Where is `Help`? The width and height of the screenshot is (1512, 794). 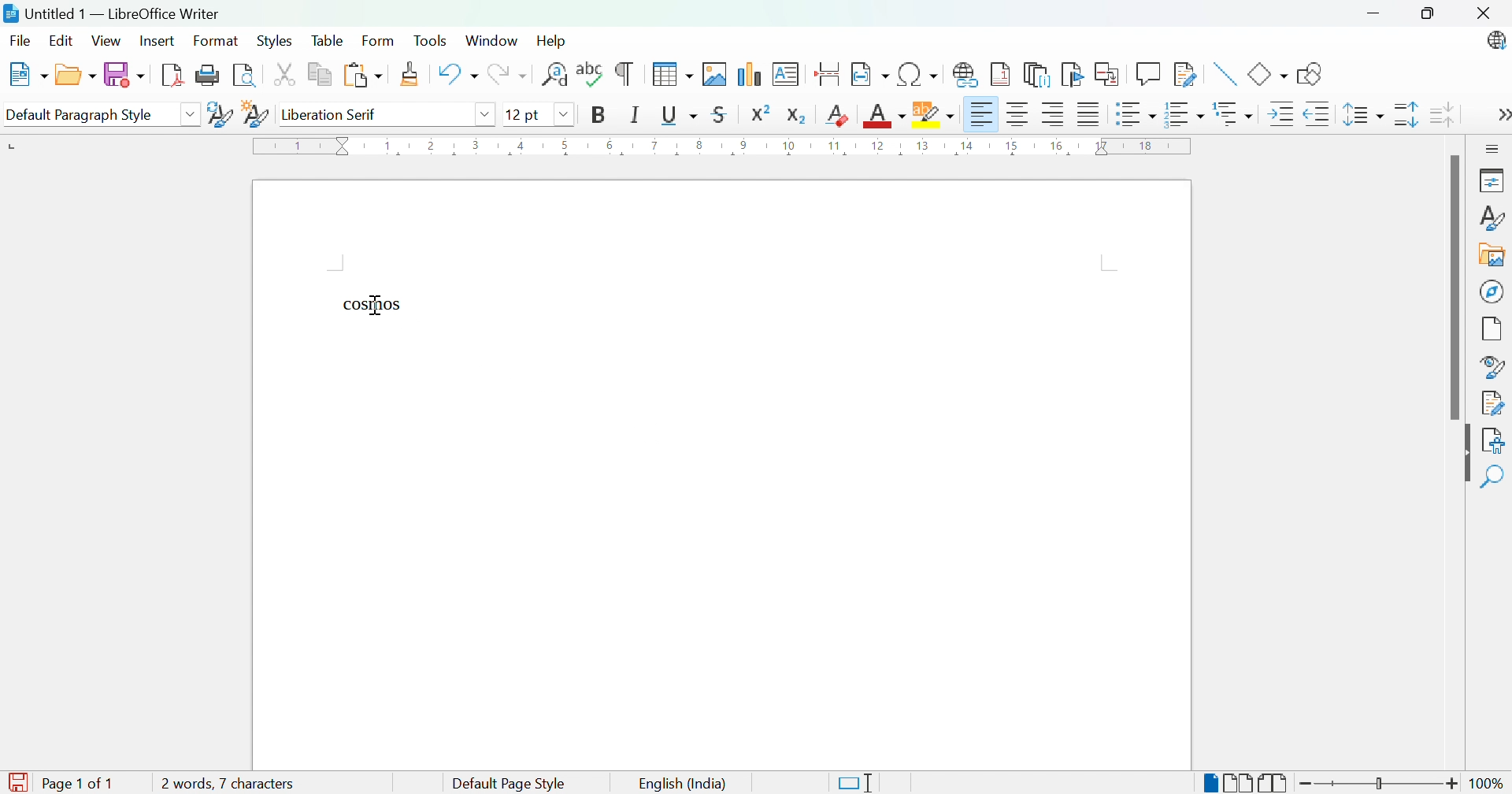
Help is located at coordinates (555, 43).